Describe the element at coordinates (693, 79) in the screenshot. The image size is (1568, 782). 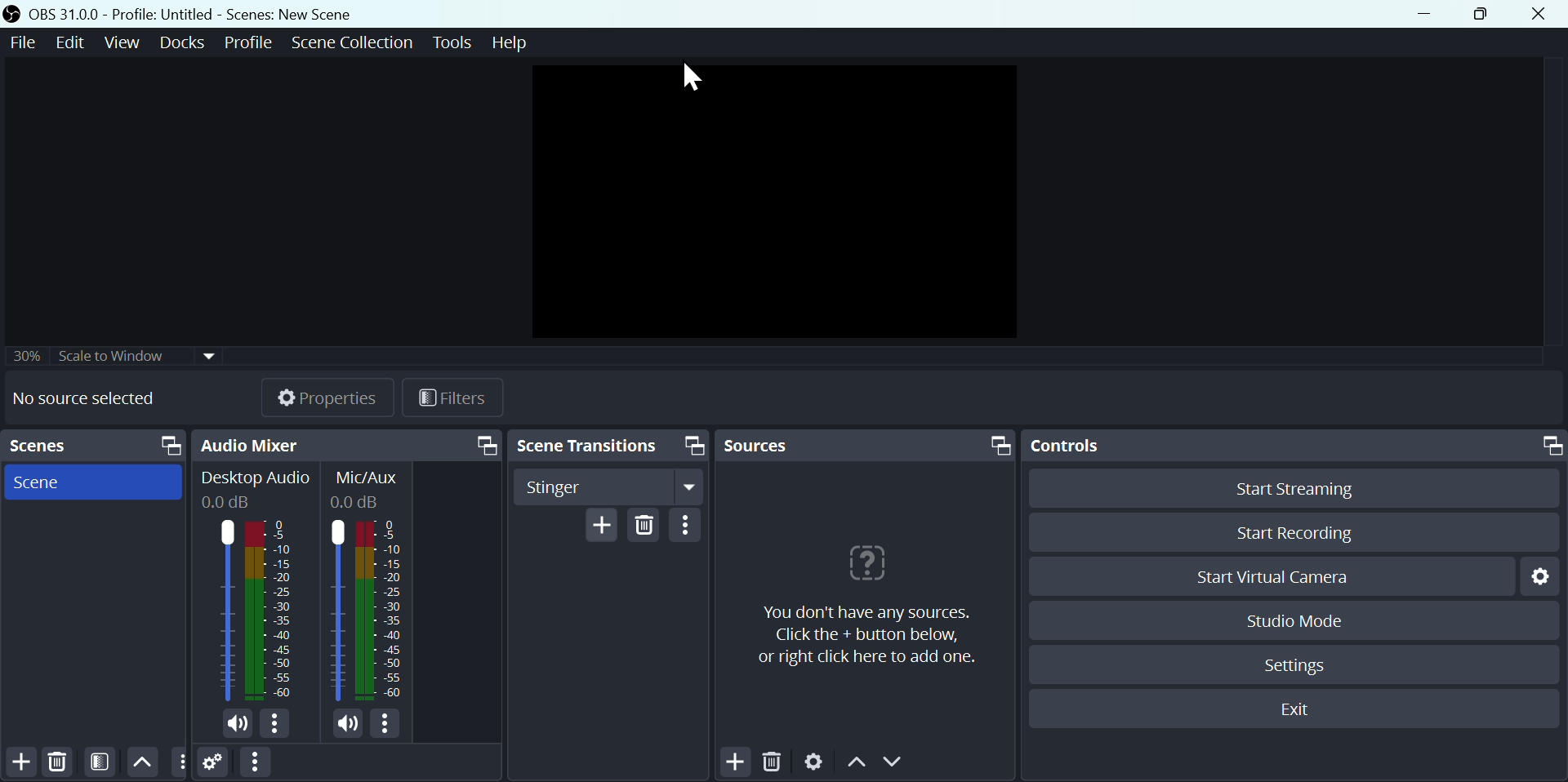
I see `cursor` at that location.